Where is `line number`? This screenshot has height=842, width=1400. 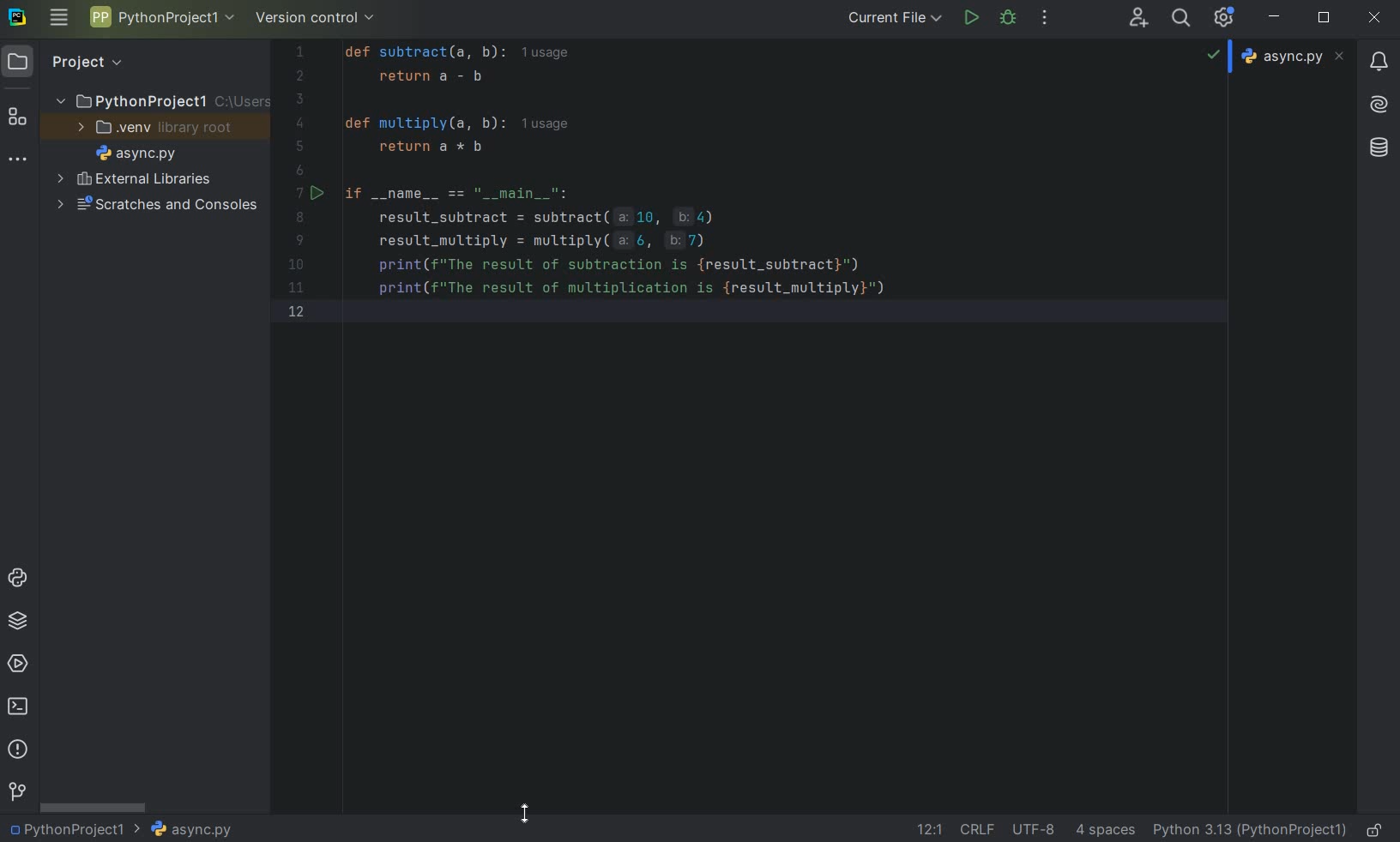
line number is located at coordinates (304, 185).